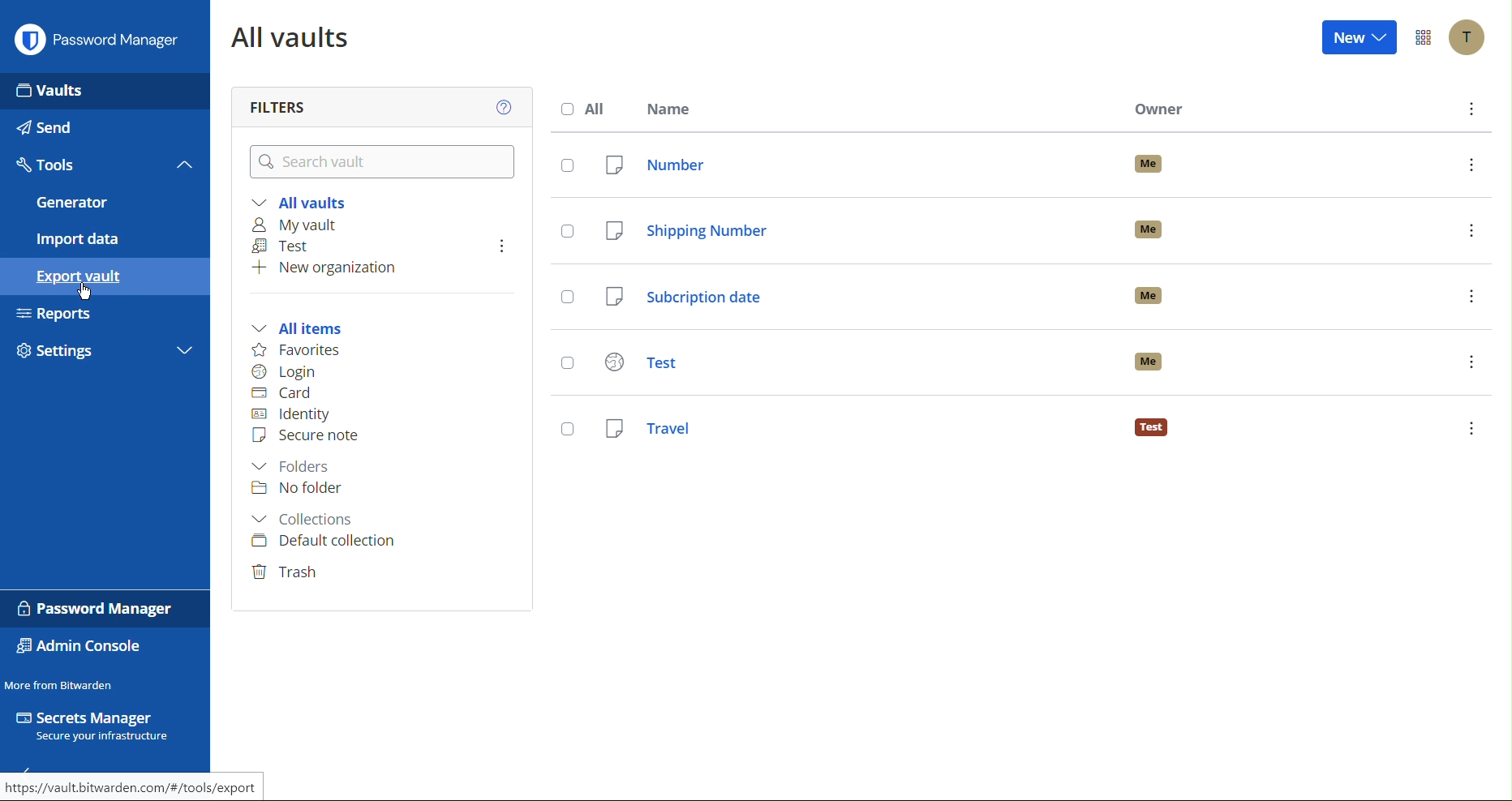 The height and width of the screenshot is (801, 1512). I want to click on Collections, so click(307, 520).